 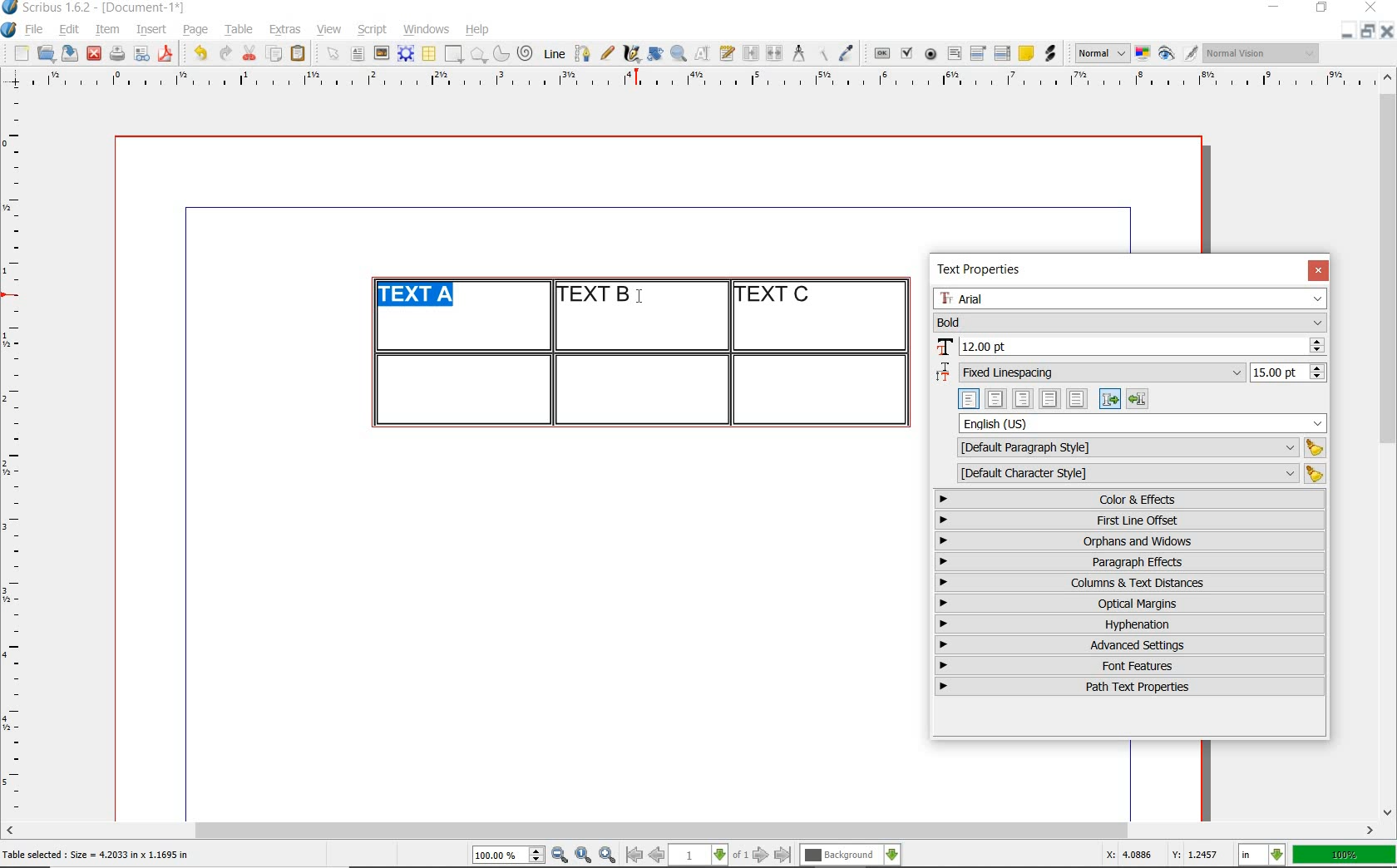 I want to click on edit, so click(x=70, y=29).